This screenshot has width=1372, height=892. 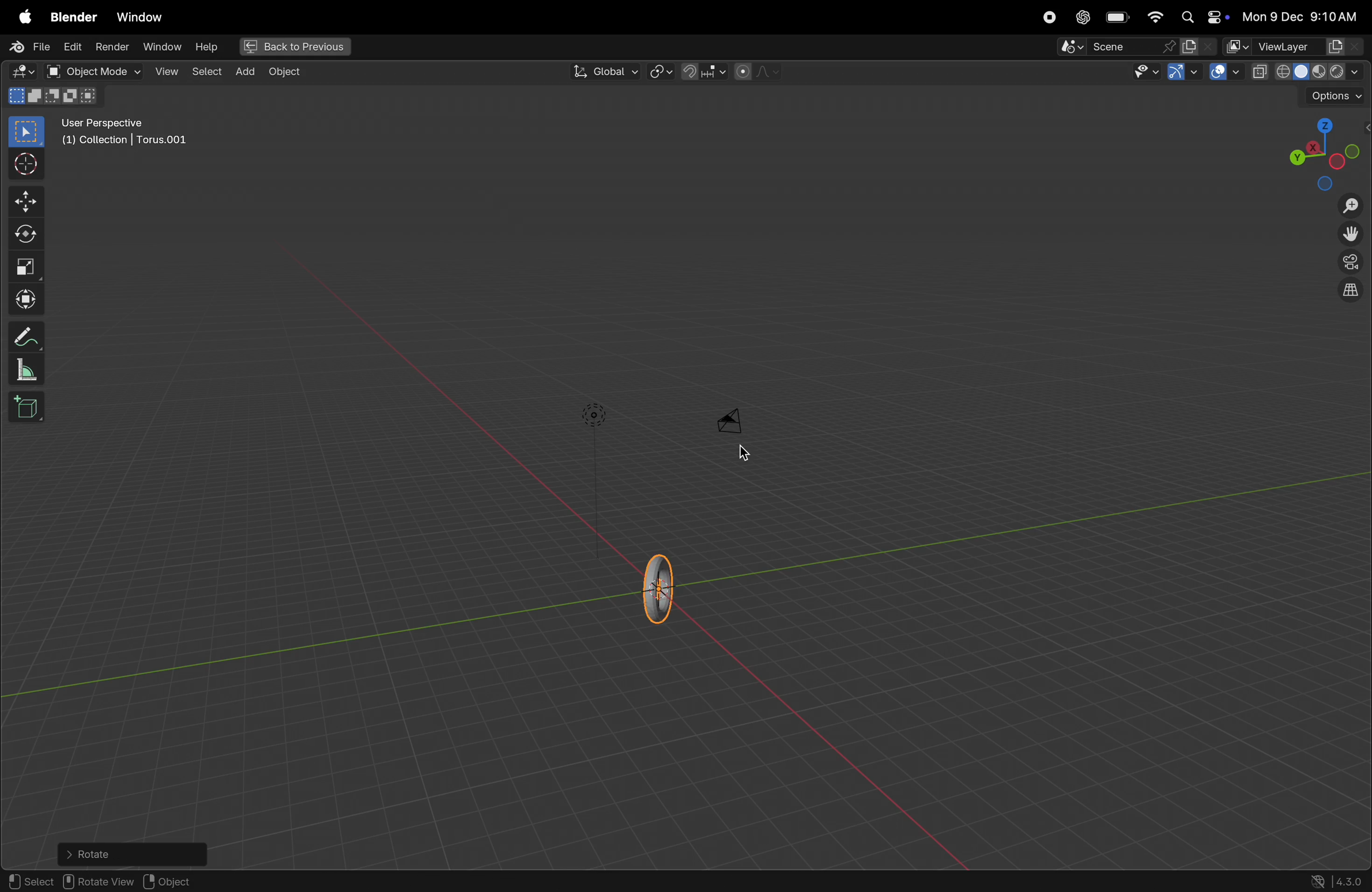 I want to click on Gimzos, so click(x=1182, y=73).